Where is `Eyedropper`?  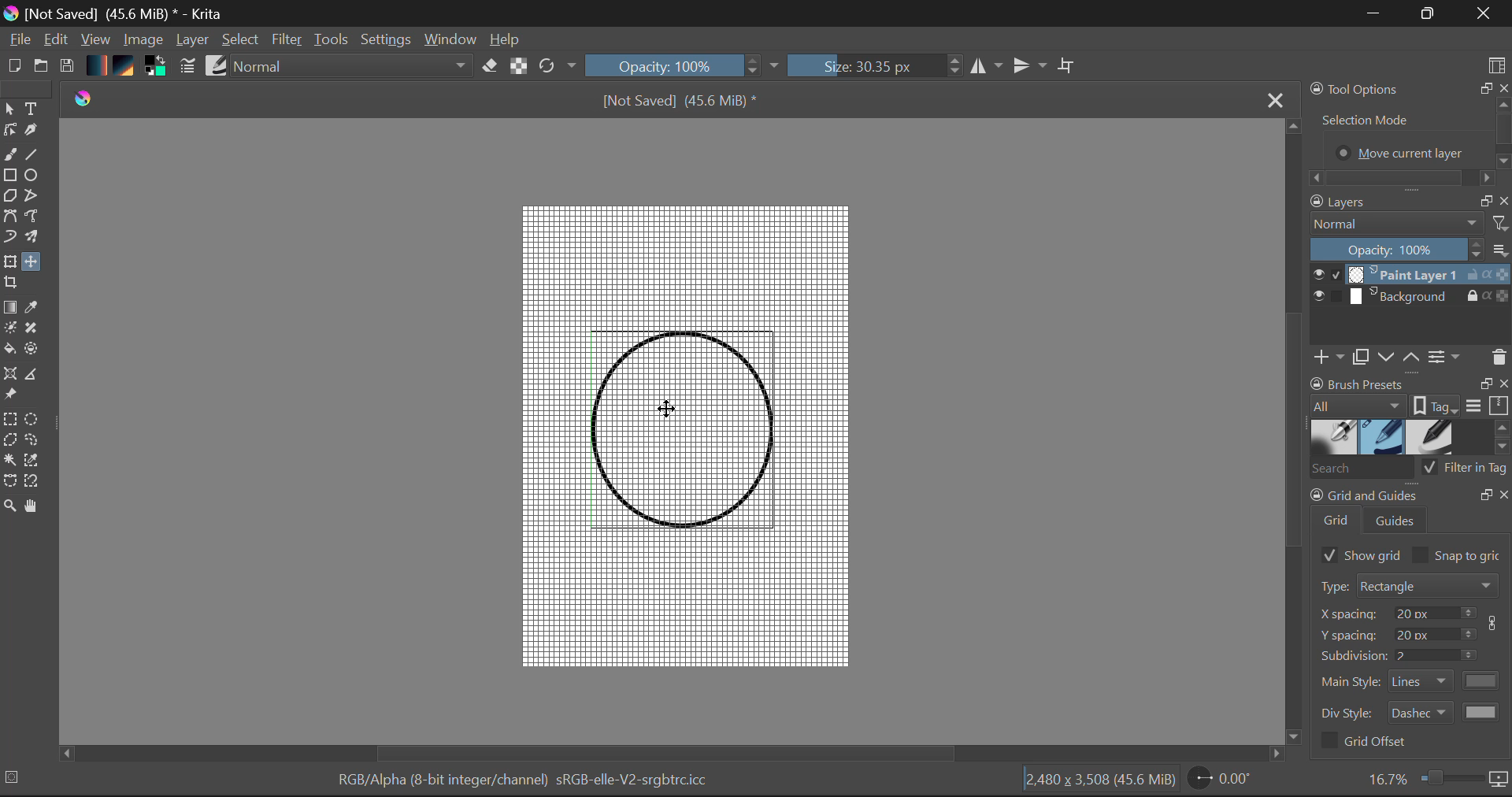 Eyedropper is located at coordinates (35, 309).